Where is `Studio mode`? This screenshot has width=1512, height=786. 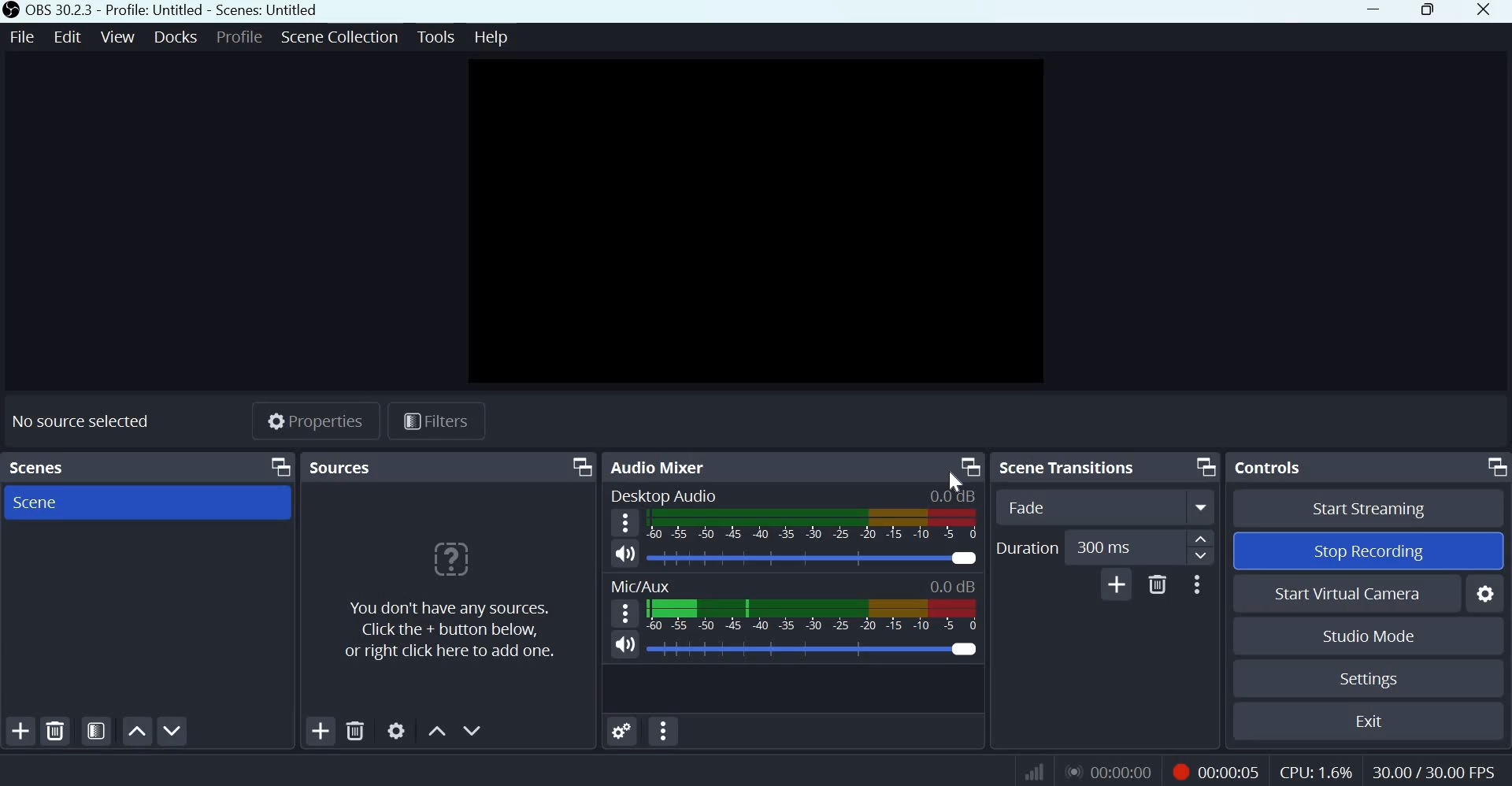 Studio mode is located at coordinates (1367, 636).